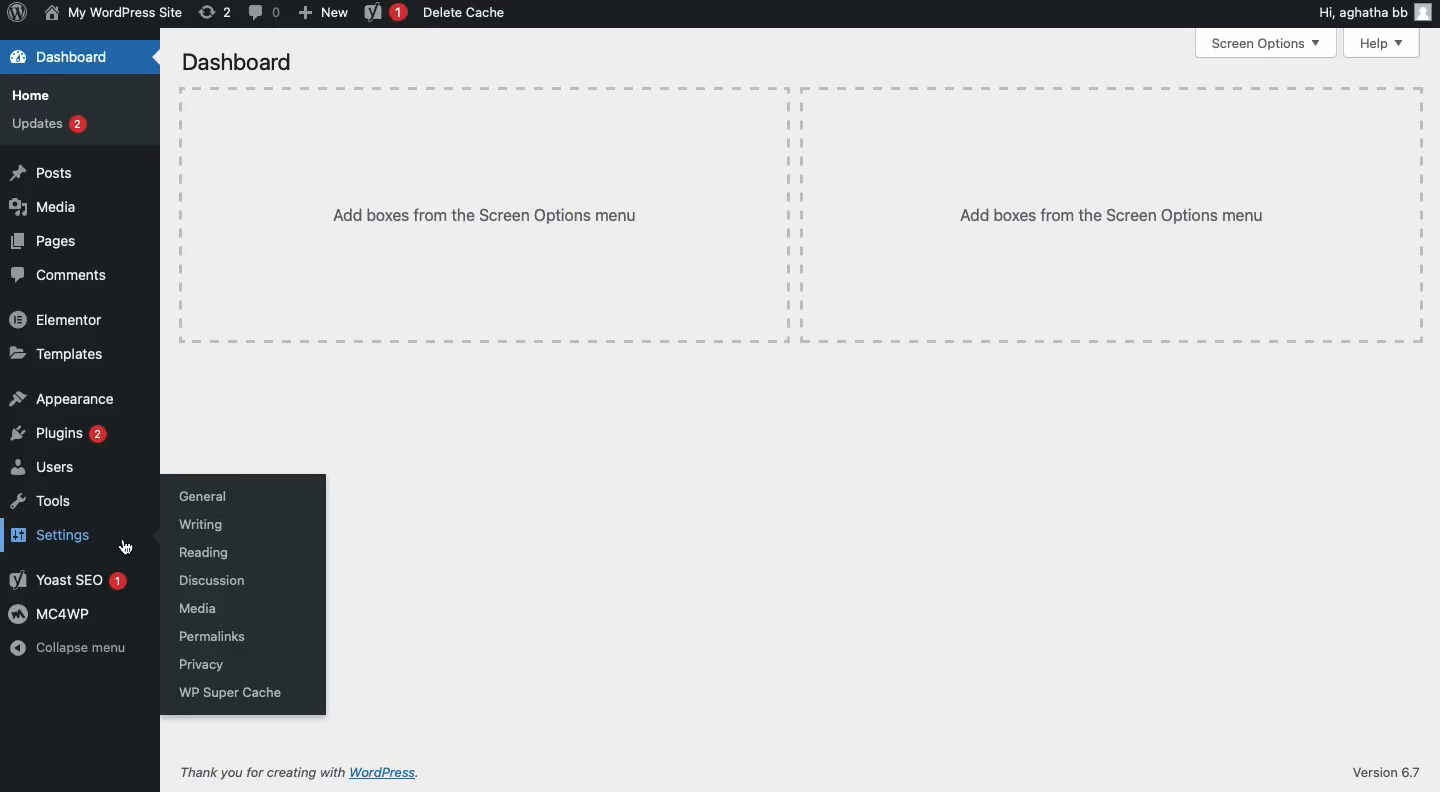  Describe the element at coordinates (66, 579) in the screenshot. I see `Yoast` at that location.